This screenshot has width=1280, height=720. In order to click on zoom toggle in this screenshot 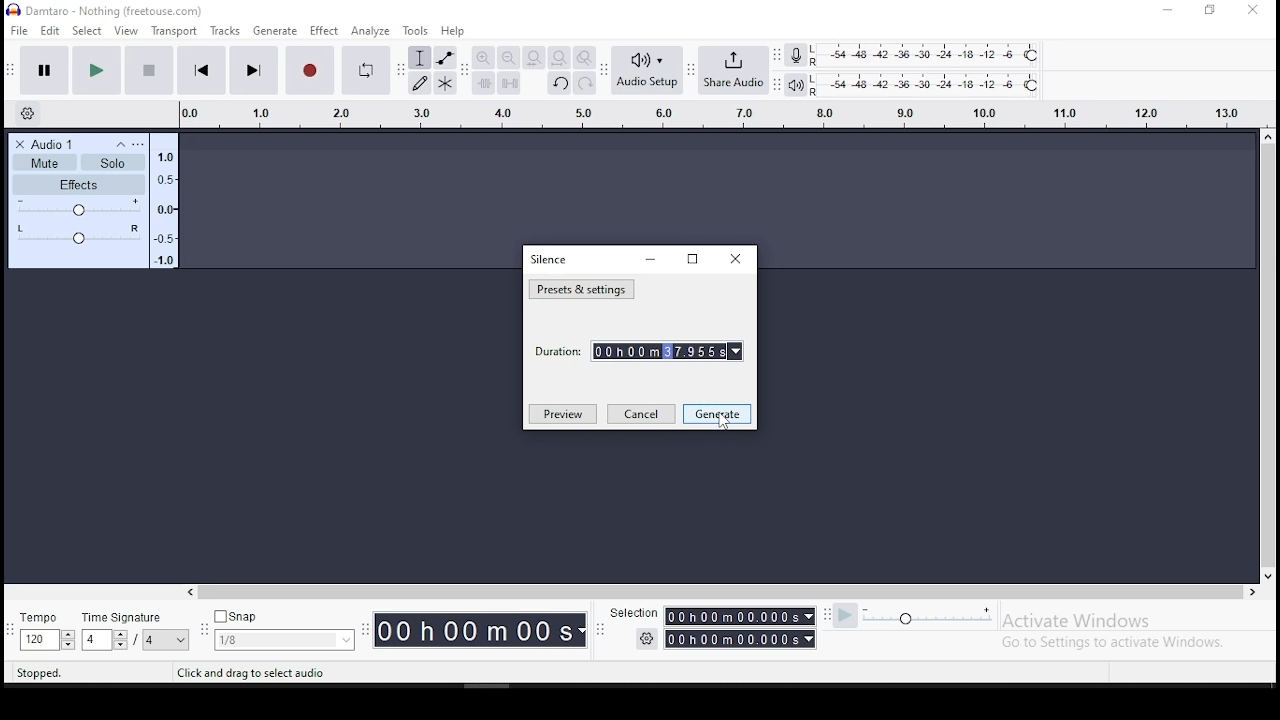, I will do `click(585, 58)`.